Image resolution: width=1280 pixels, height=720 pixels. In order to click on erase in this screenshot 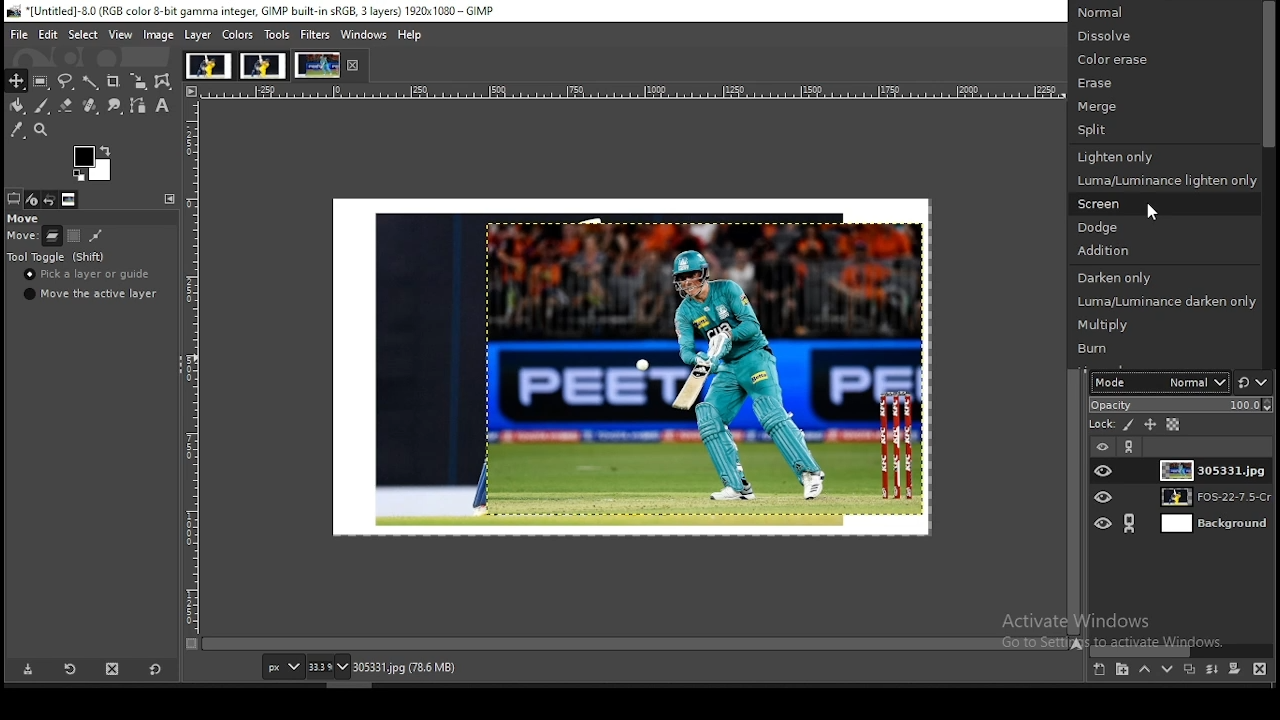, I will do `click(1166, 86)`.